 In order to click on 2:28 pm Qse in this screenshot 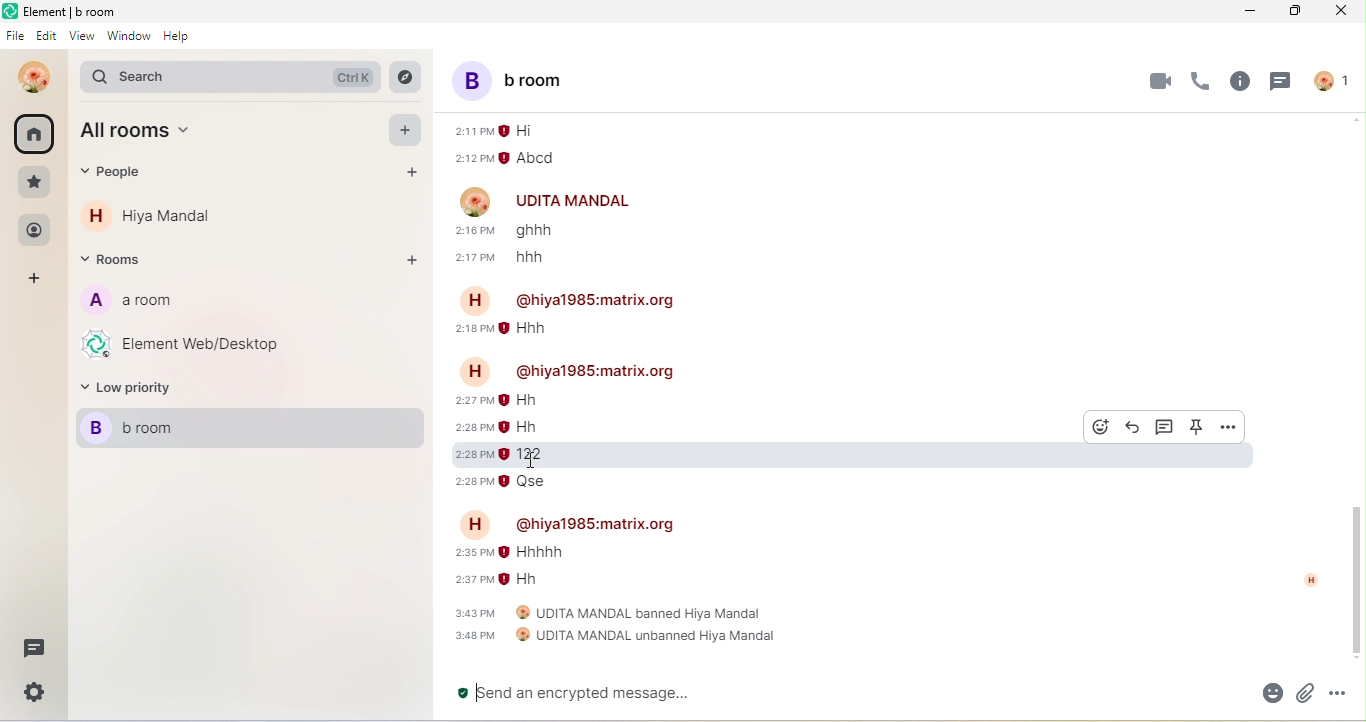, I will do `click(504, 481)`.